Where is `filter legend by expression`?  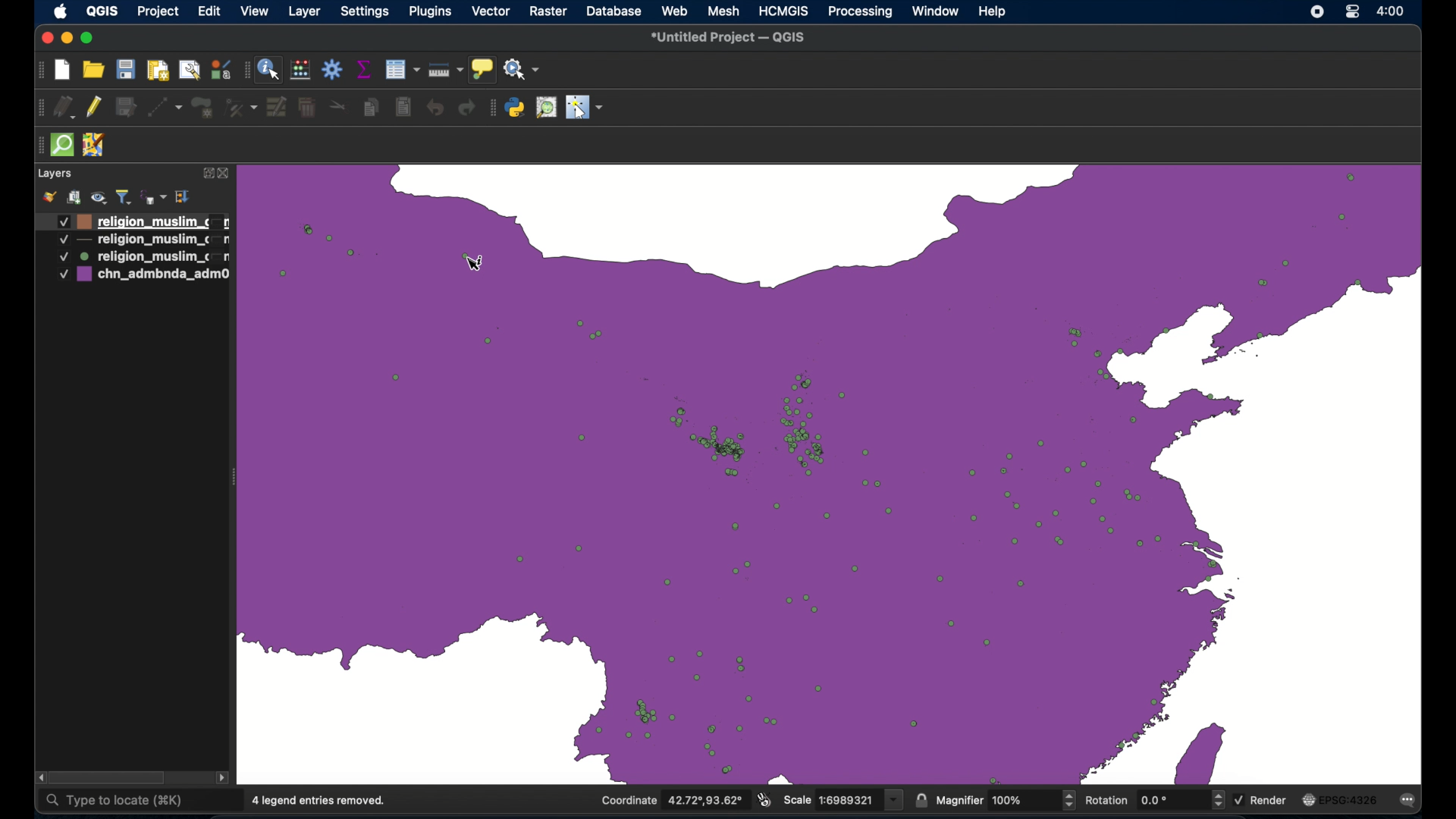
filter legend by expression is located at coordinates (154, 196).